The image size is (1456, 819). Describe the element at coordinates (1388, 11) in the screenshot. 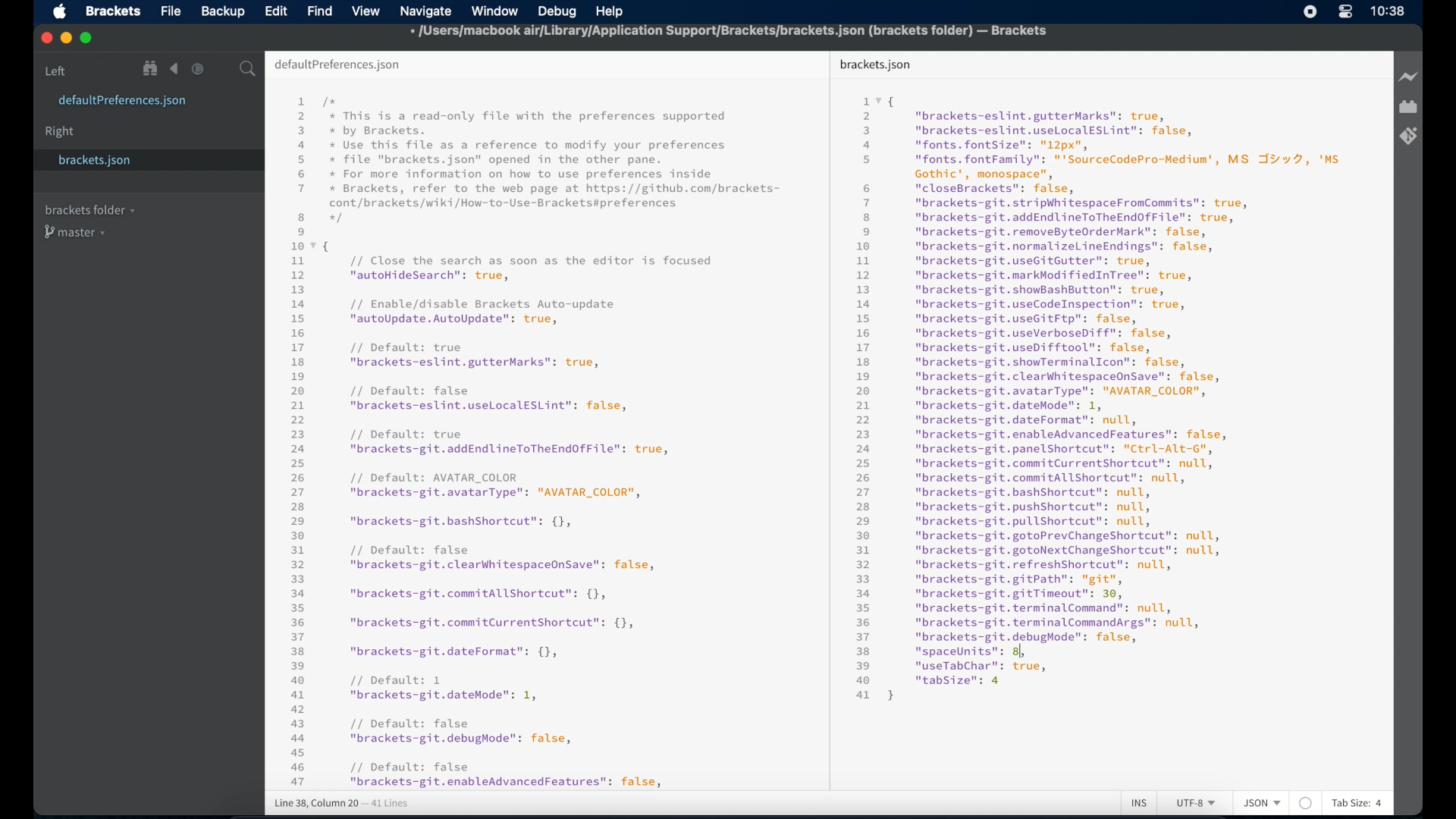

I see `time` at that location.